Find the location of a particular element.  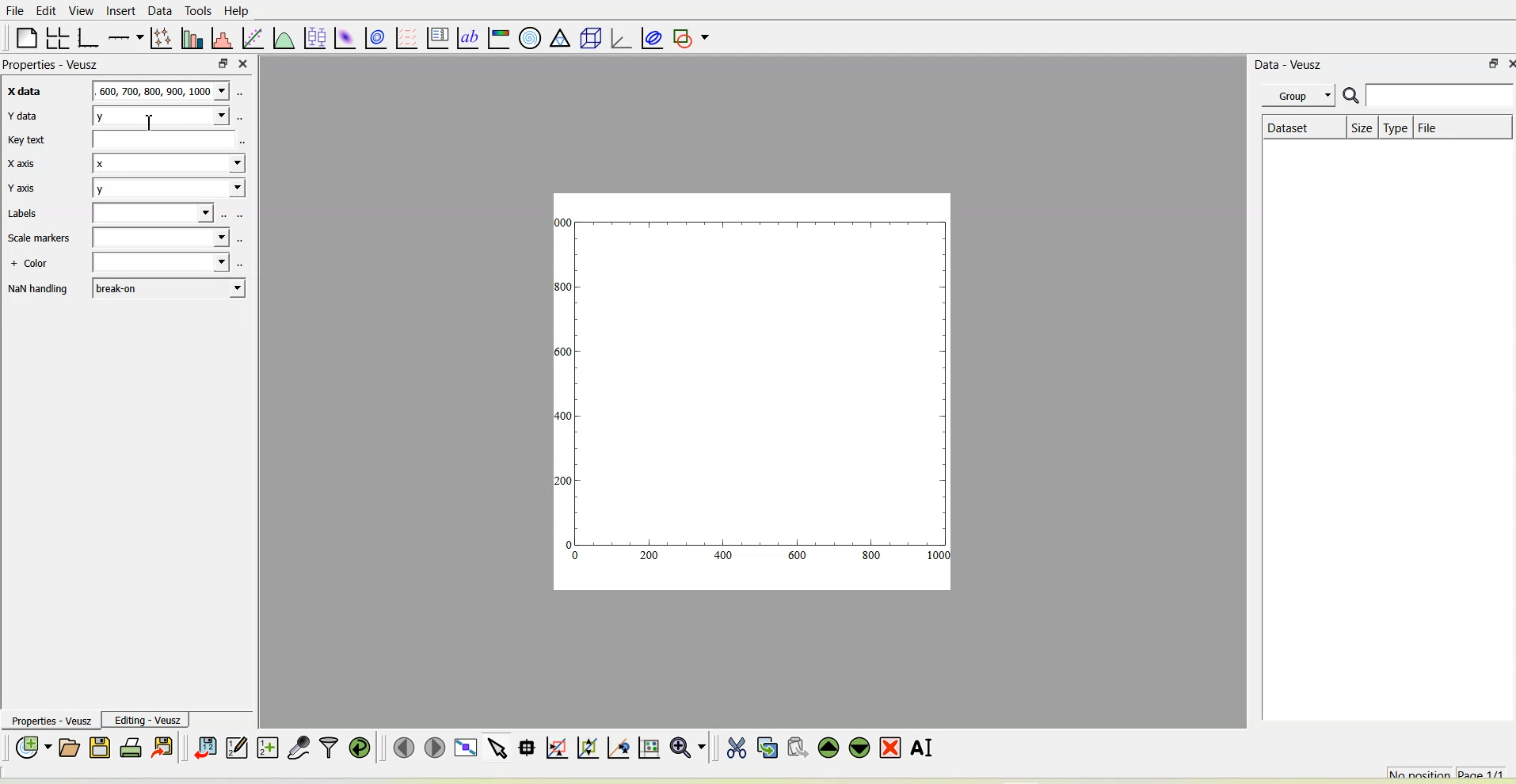

Move the selected widget down is located at coordinates (859, 748).